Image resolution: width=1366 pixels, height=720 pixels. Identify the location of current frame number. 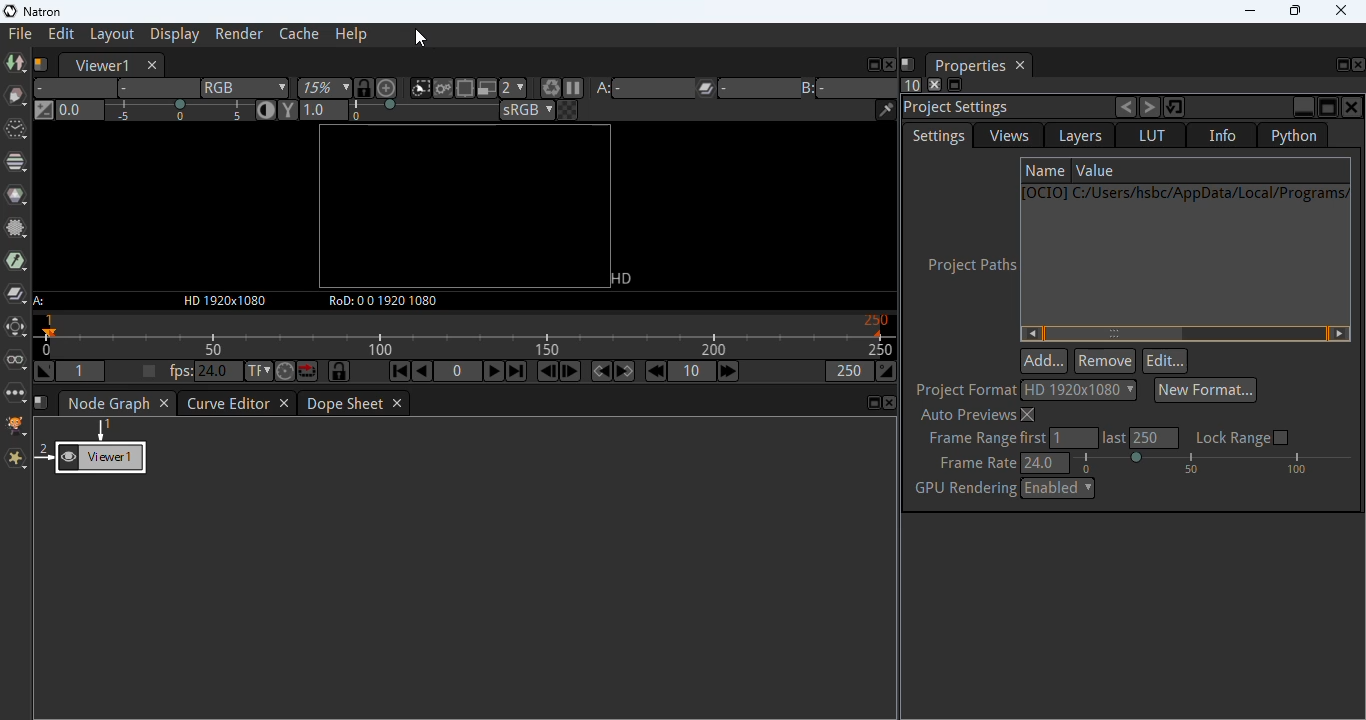
(458, 371).